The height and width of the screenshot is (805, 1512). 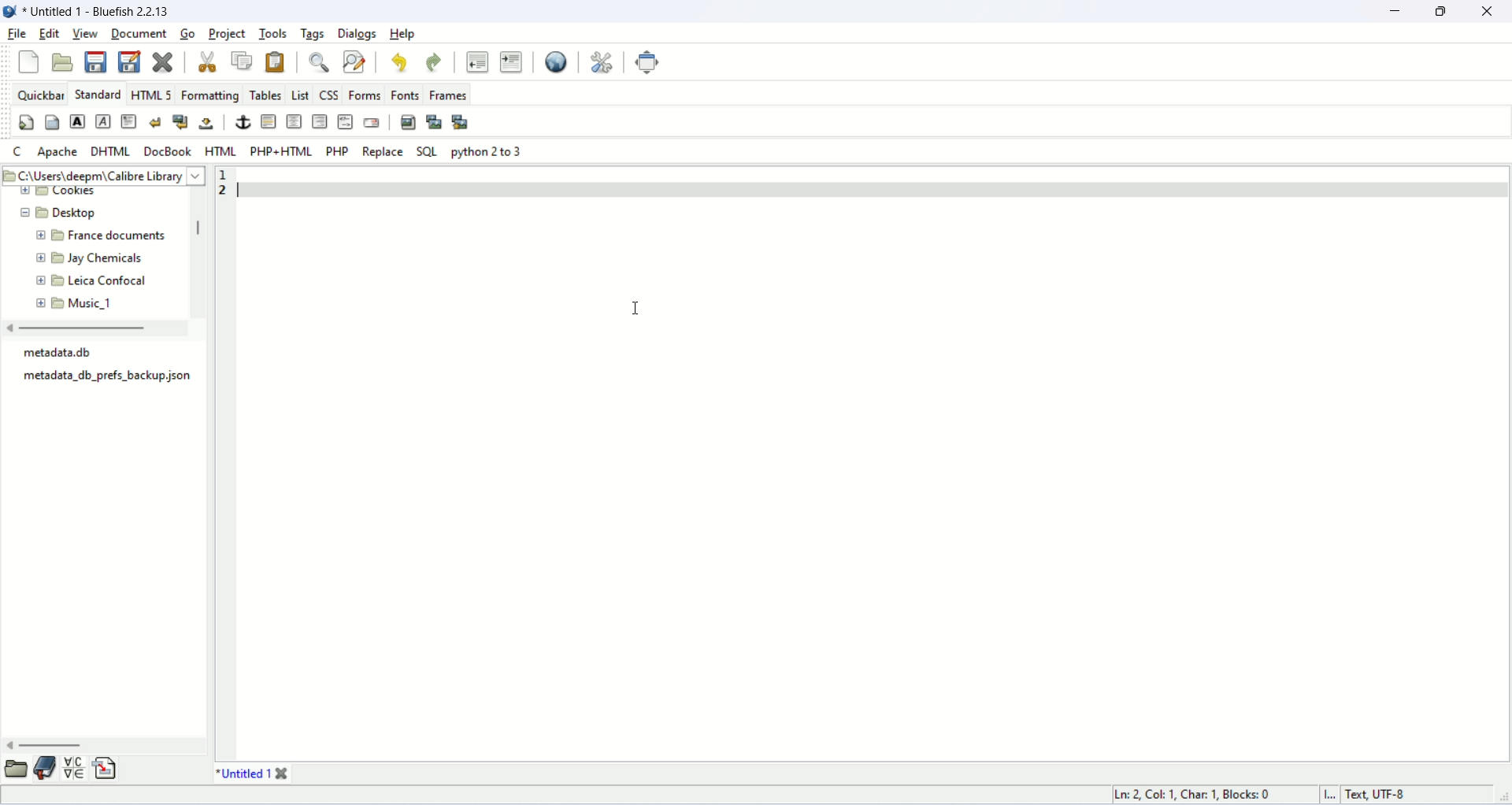 I want to click on DocBook, so click(x=169, y=151).